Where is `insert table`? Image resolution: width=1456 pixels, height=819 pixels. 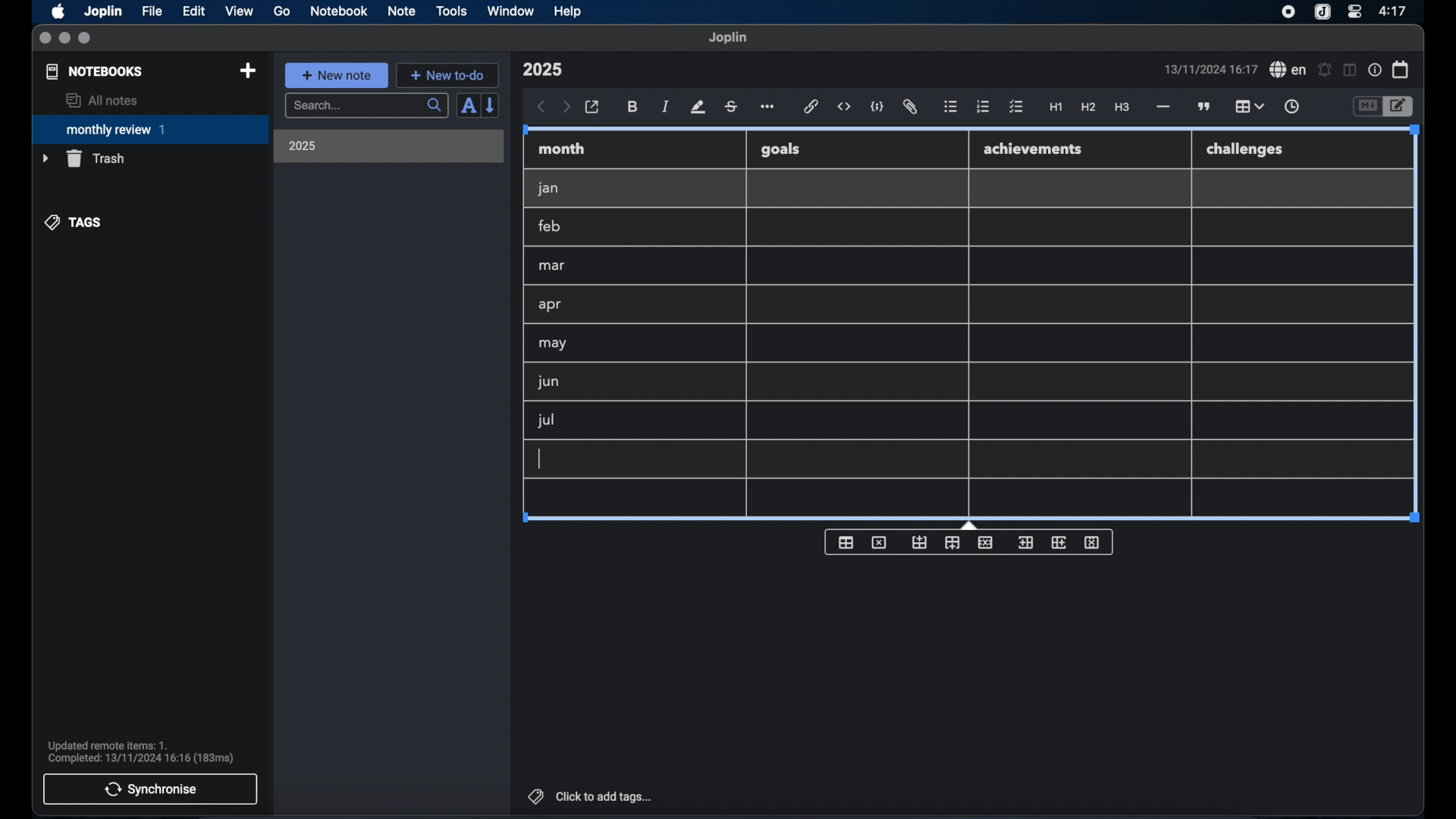 insert table is located at coordinates (846, 542).